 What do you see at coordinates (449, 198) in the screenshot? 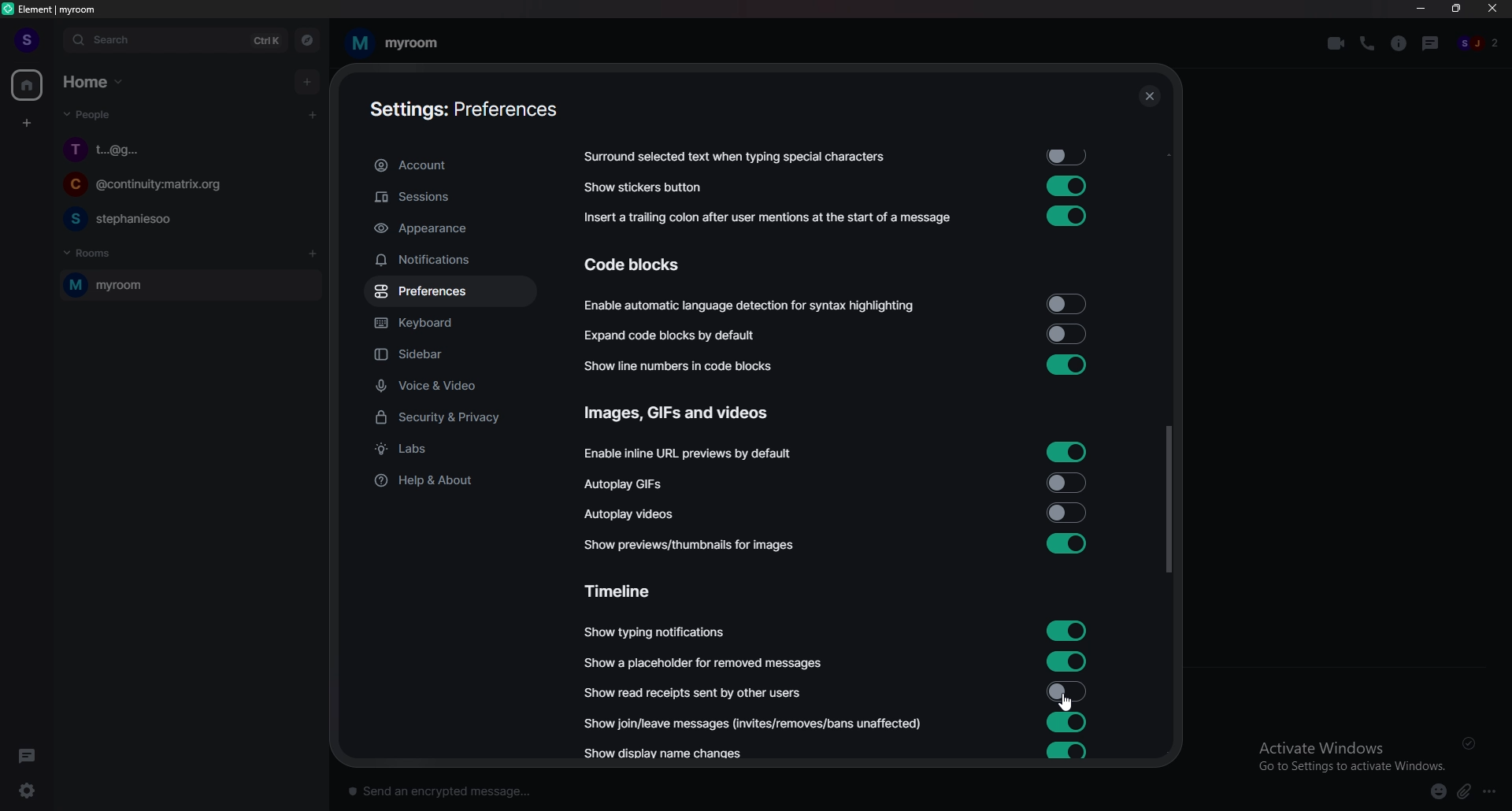
I see `sessions` at bounding box center [449, 198].